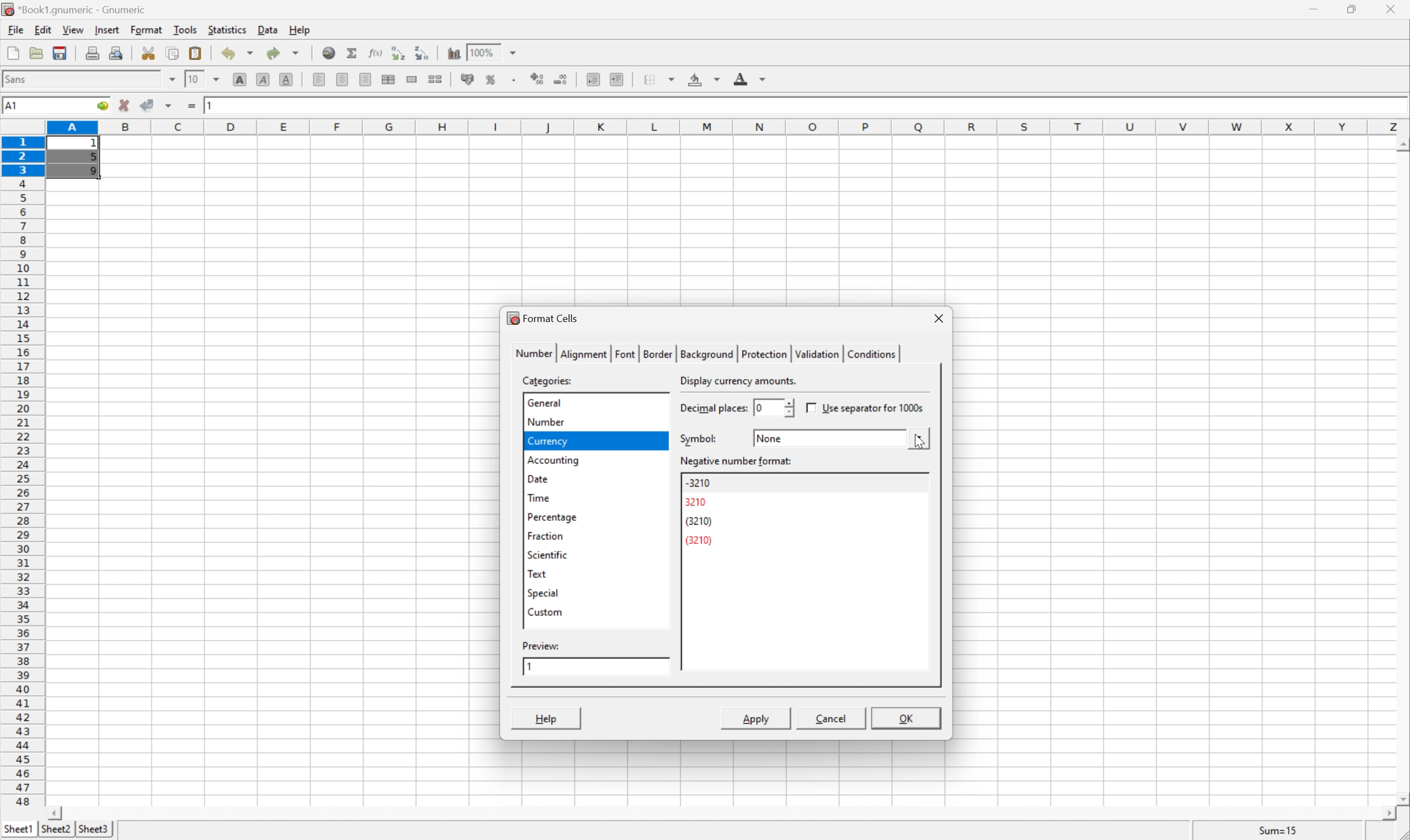 Image resolution: width=1410 pixels, height=840 pixels. I want to click on symbol:, so click(699, 439).